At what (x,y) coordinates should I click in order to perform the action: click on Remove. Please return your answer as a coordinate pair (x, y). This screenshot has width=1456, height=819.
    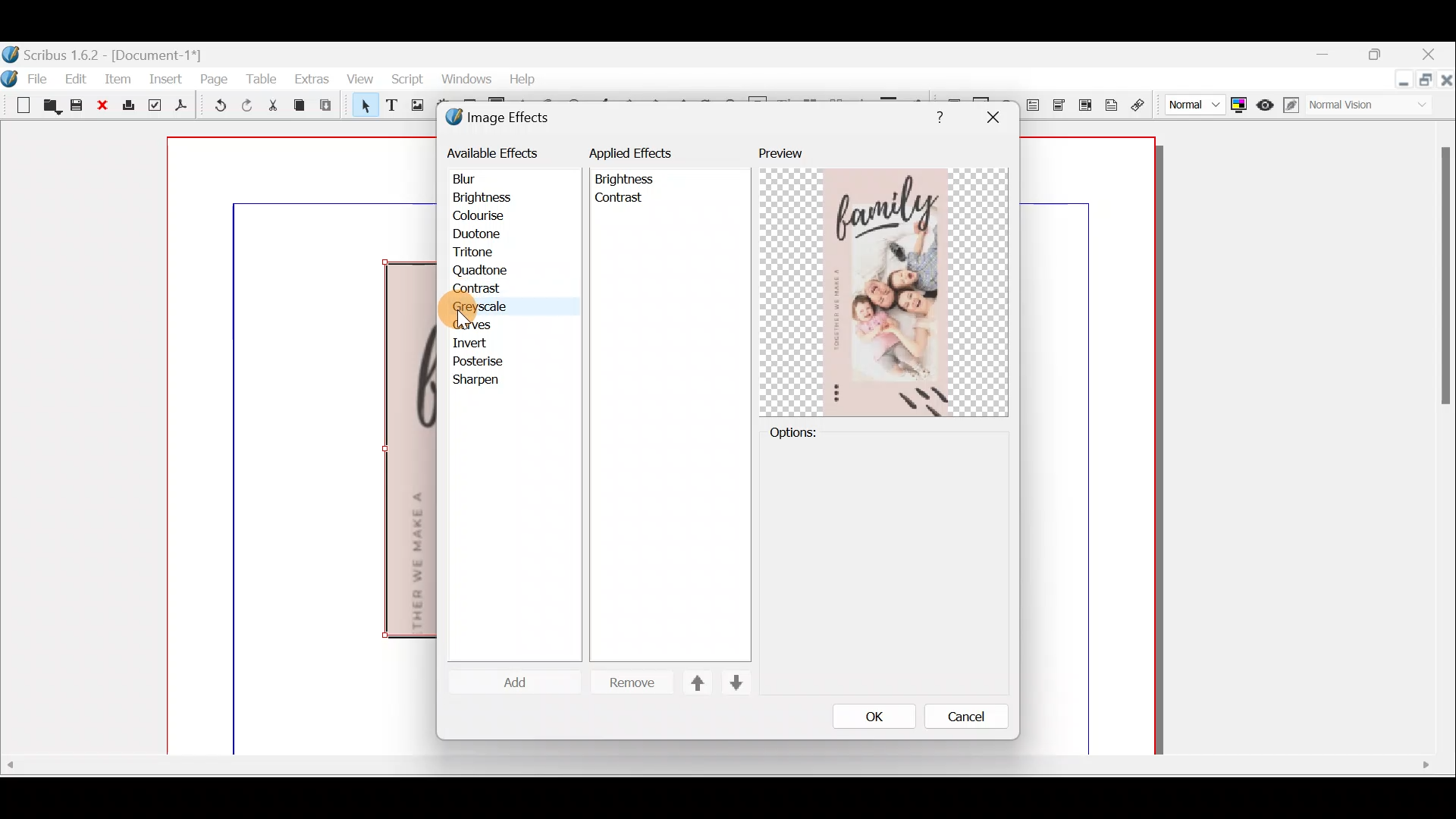
    Looking at the image, I should click on (631, 682).